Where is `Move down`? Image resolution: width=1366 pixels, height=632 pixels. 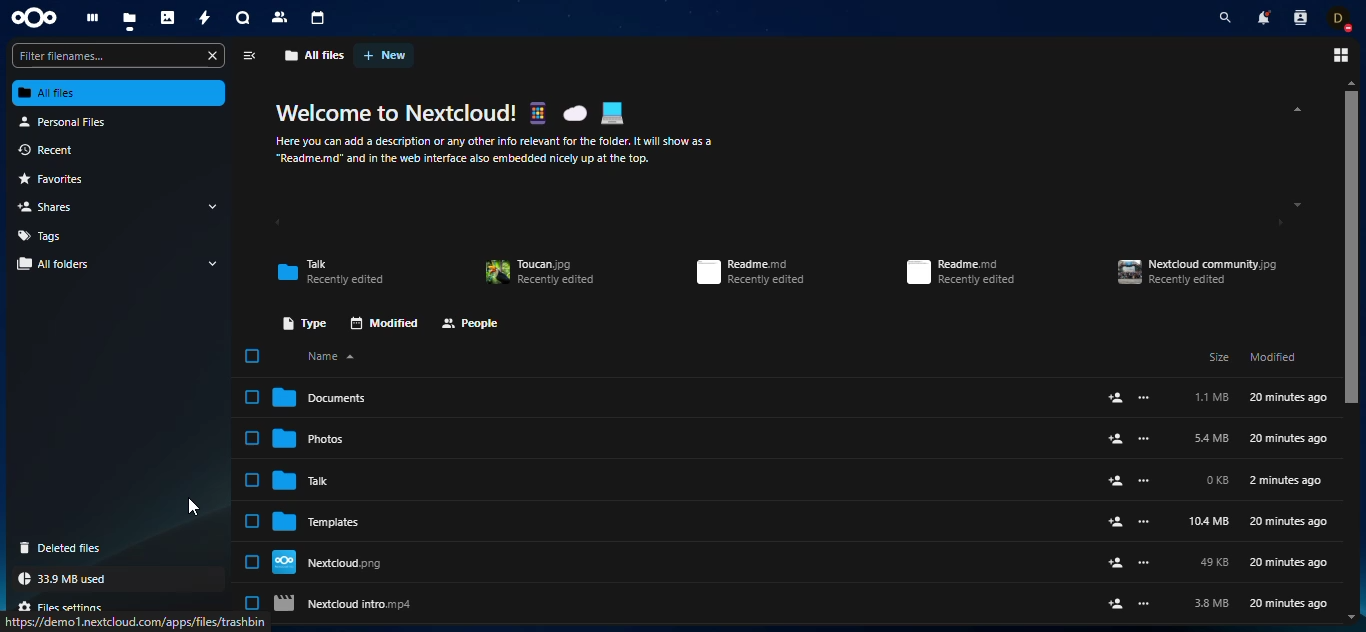
Move down is located at coordinates (1351, 616).